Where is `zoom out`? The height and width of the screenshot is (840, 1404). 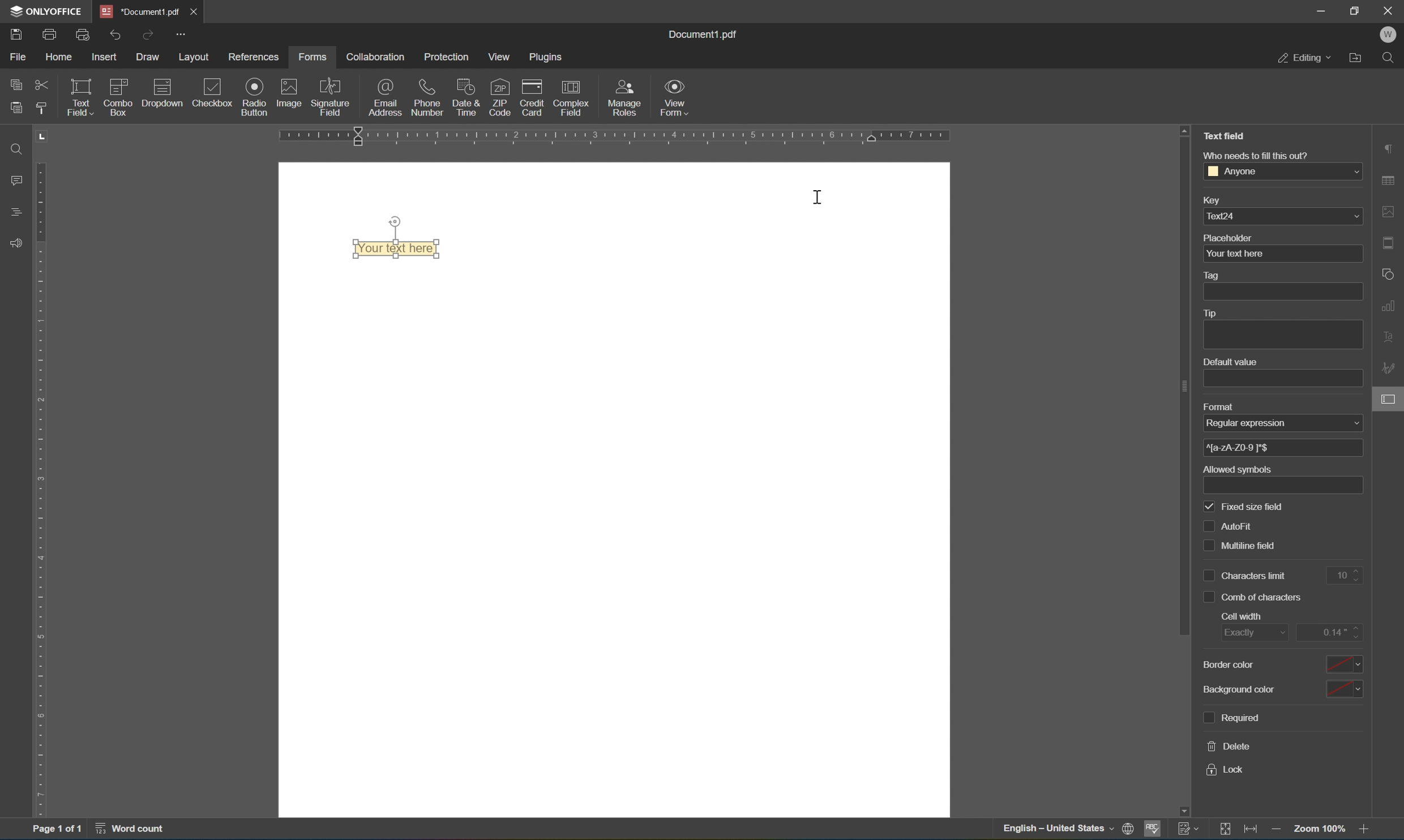
zoom out is located at coordinates (1322, 829).